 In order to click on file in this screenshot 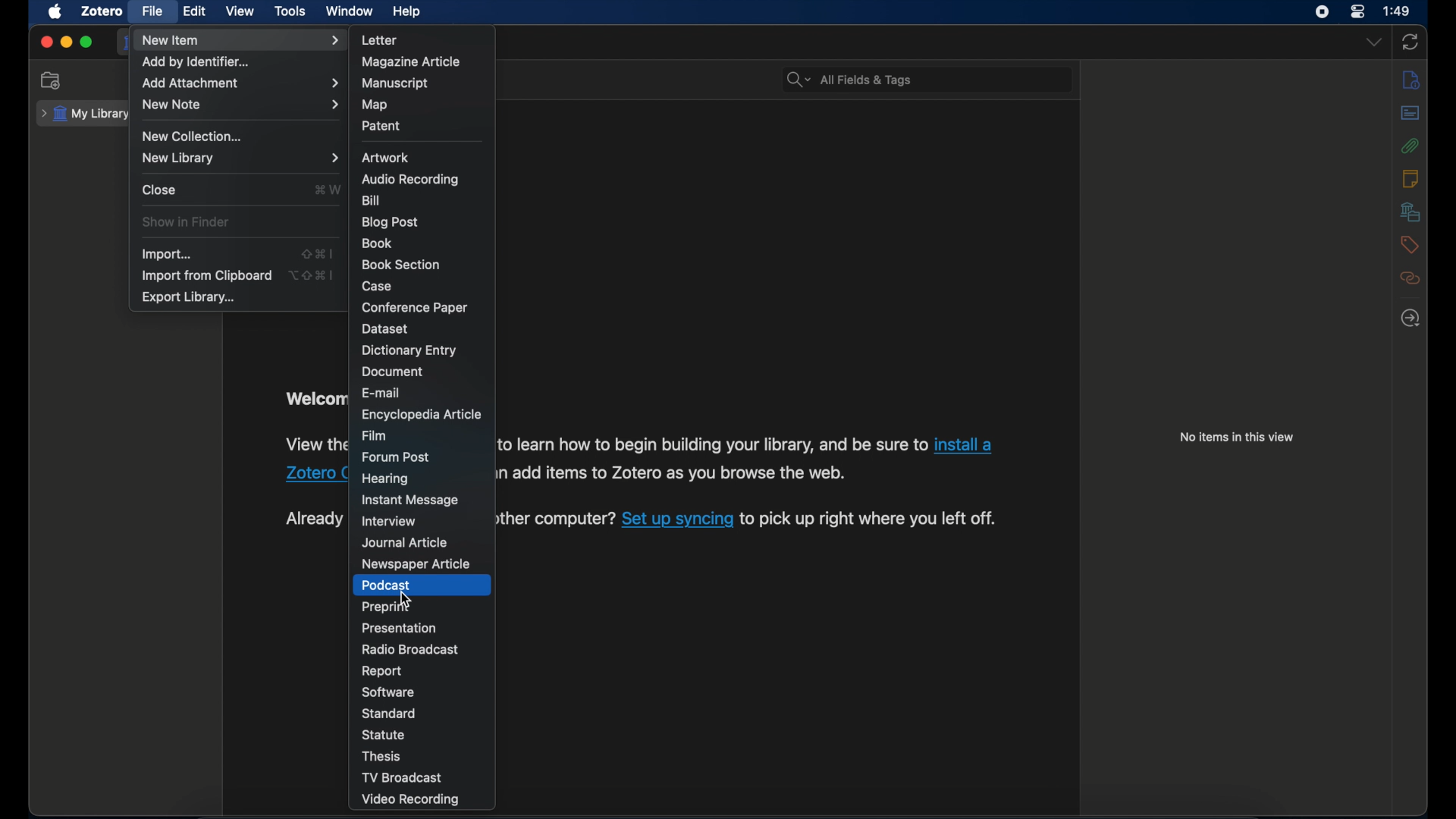, I will do `click(153, 12)`.